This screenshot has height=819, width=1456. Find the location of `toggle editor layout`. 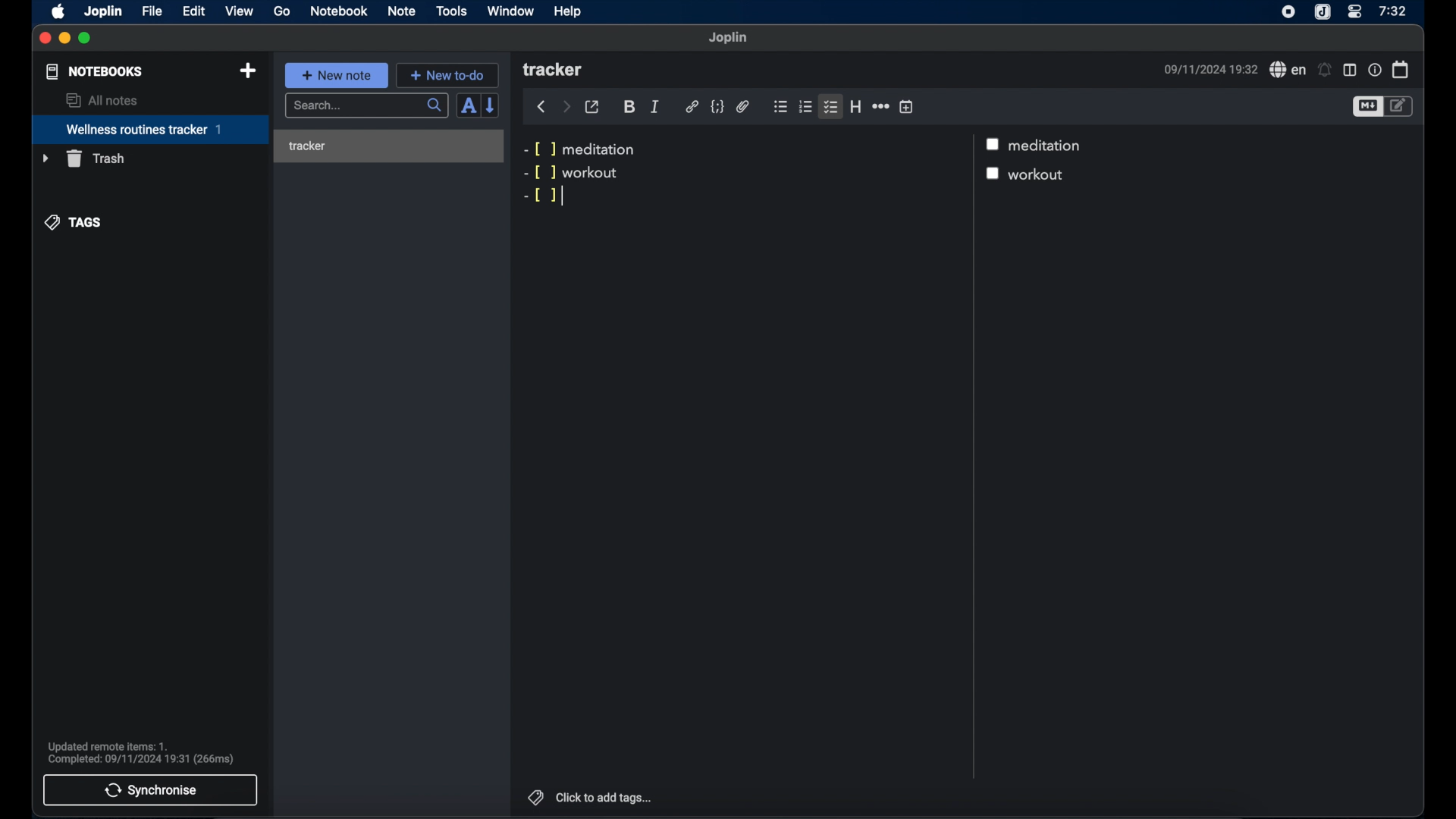

toggle editor layout is located at coordinates (1349, 70).